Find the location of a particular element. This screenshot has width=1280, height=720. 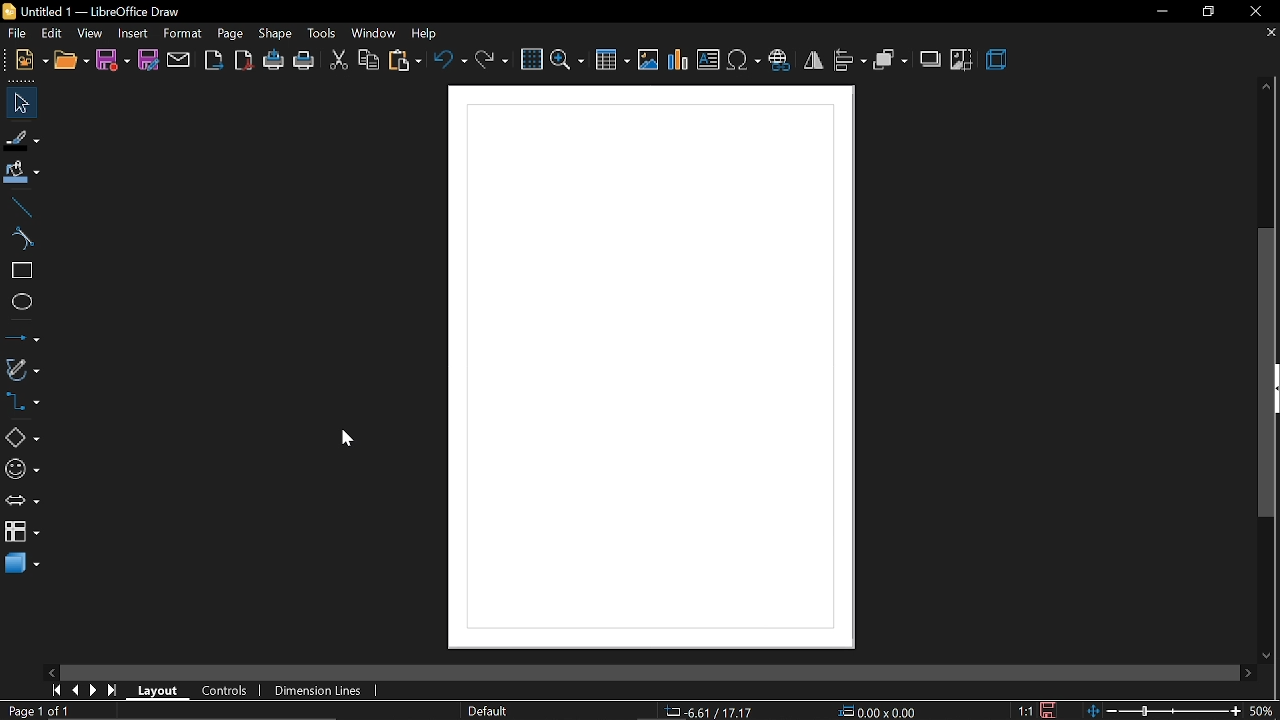

help is located at coordinates (427, 34).